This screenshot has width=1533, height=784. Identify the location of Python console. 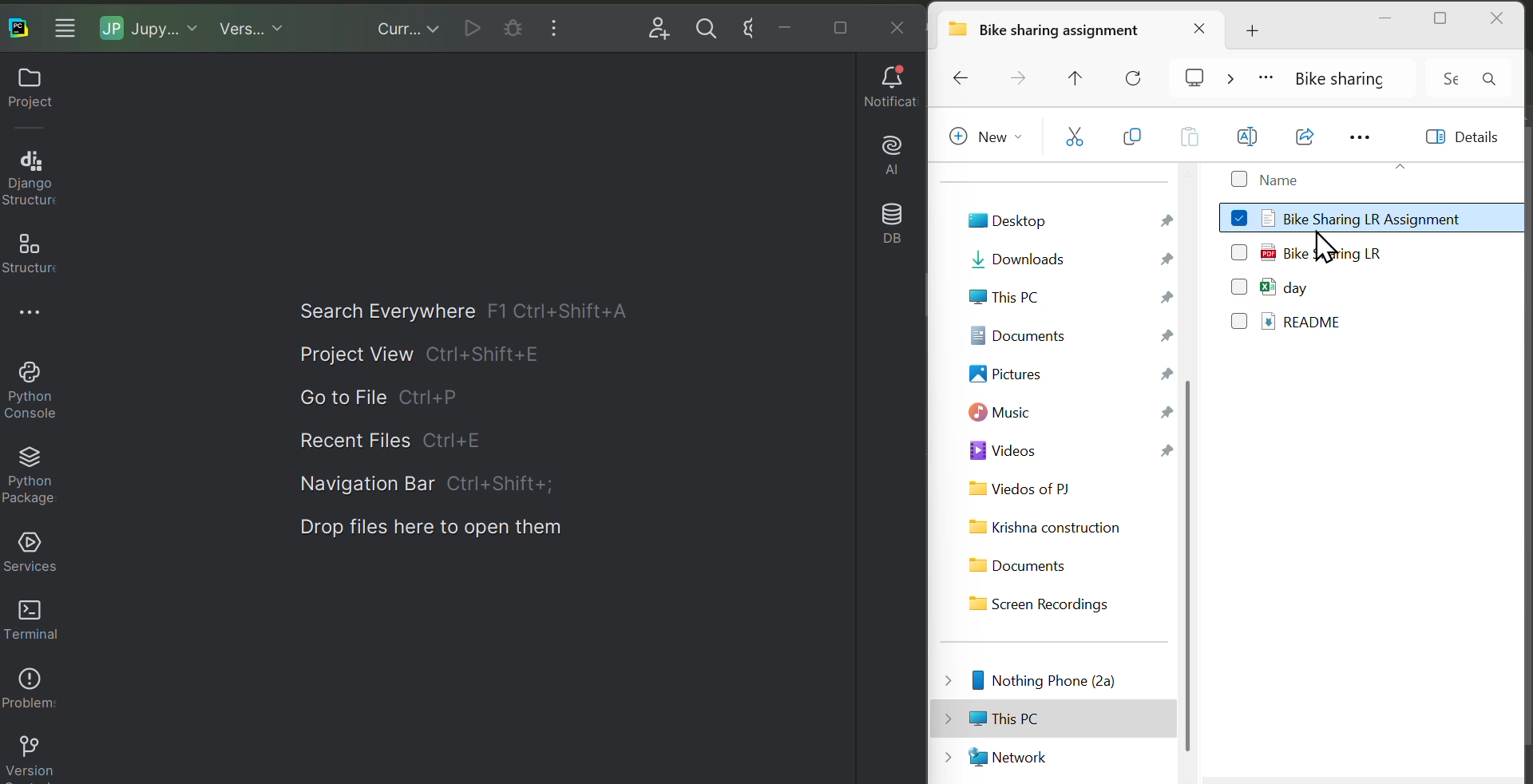
(29, 393).